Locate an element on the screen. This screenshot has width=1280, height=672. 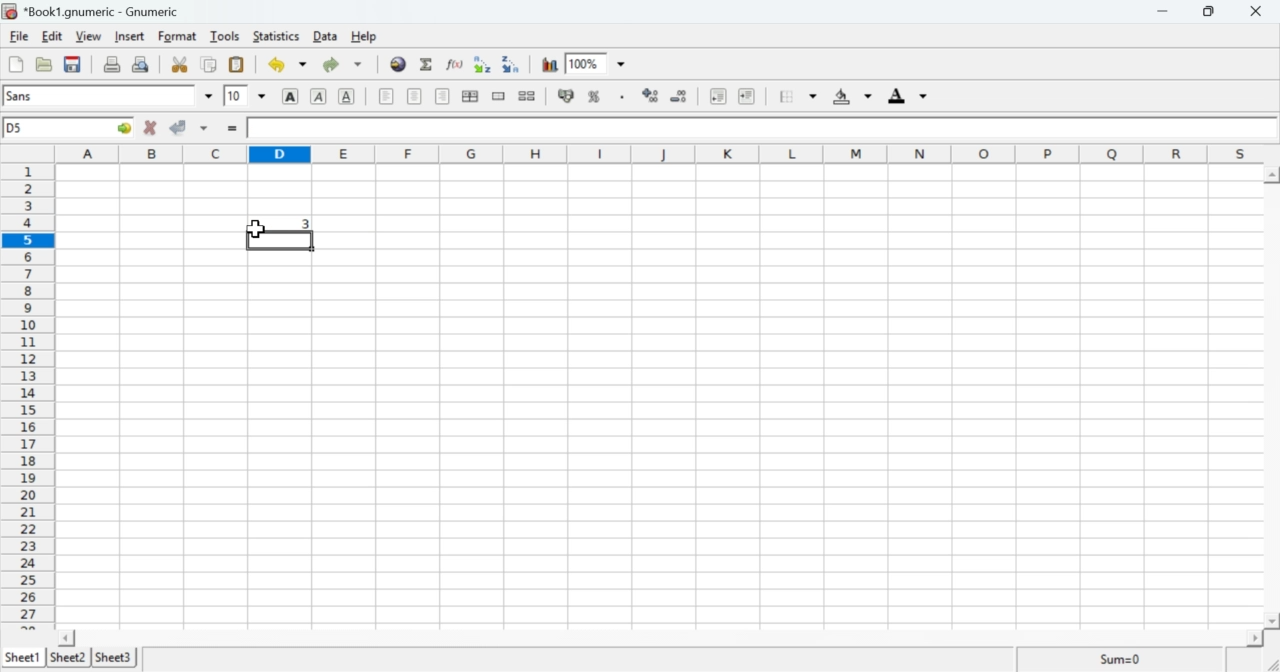
Format selection as accounting is located at coordinates (565, 96).